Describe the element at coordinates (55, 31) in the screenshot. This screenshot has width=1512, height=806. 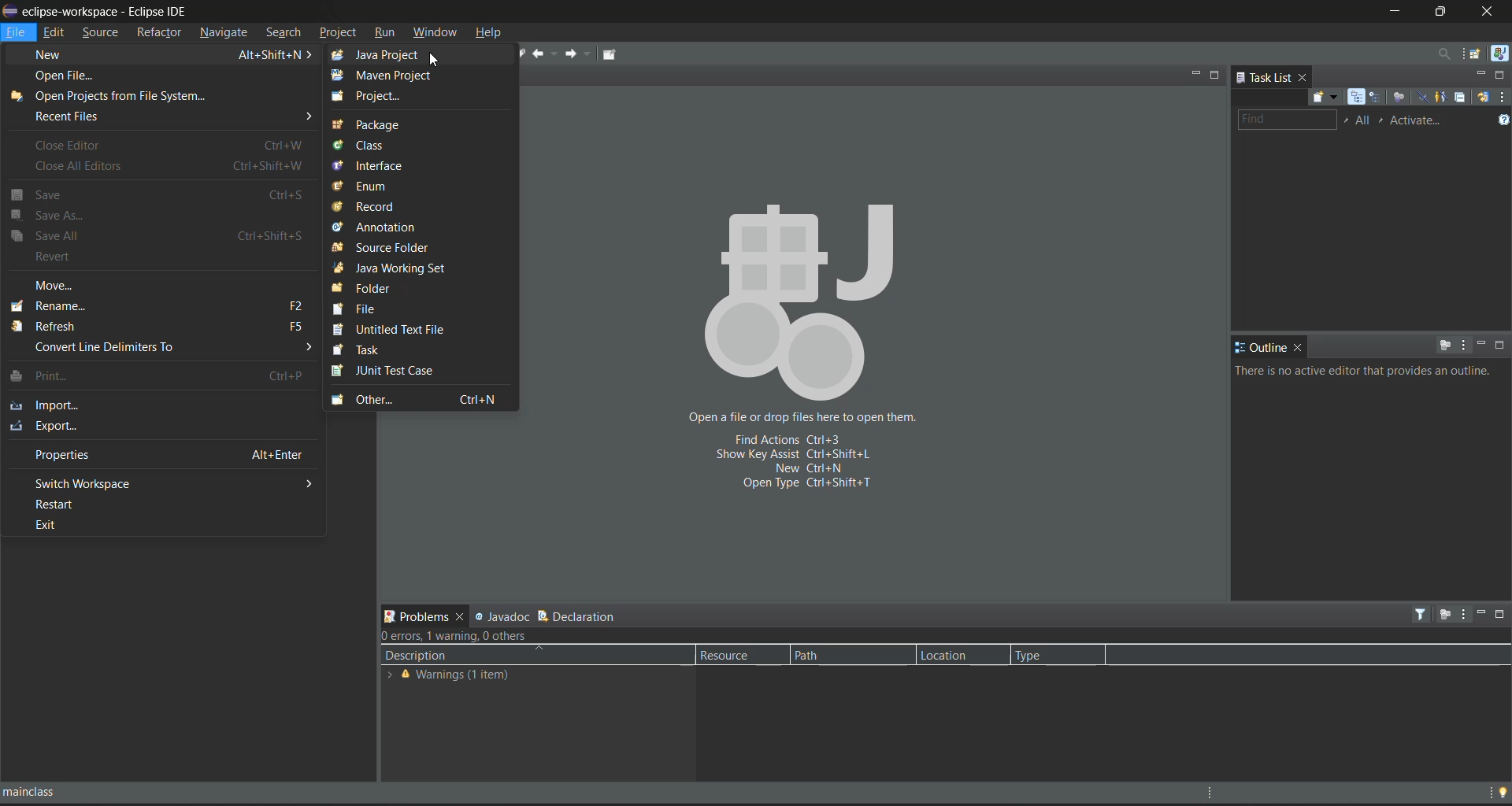
I see `edit` at that location.